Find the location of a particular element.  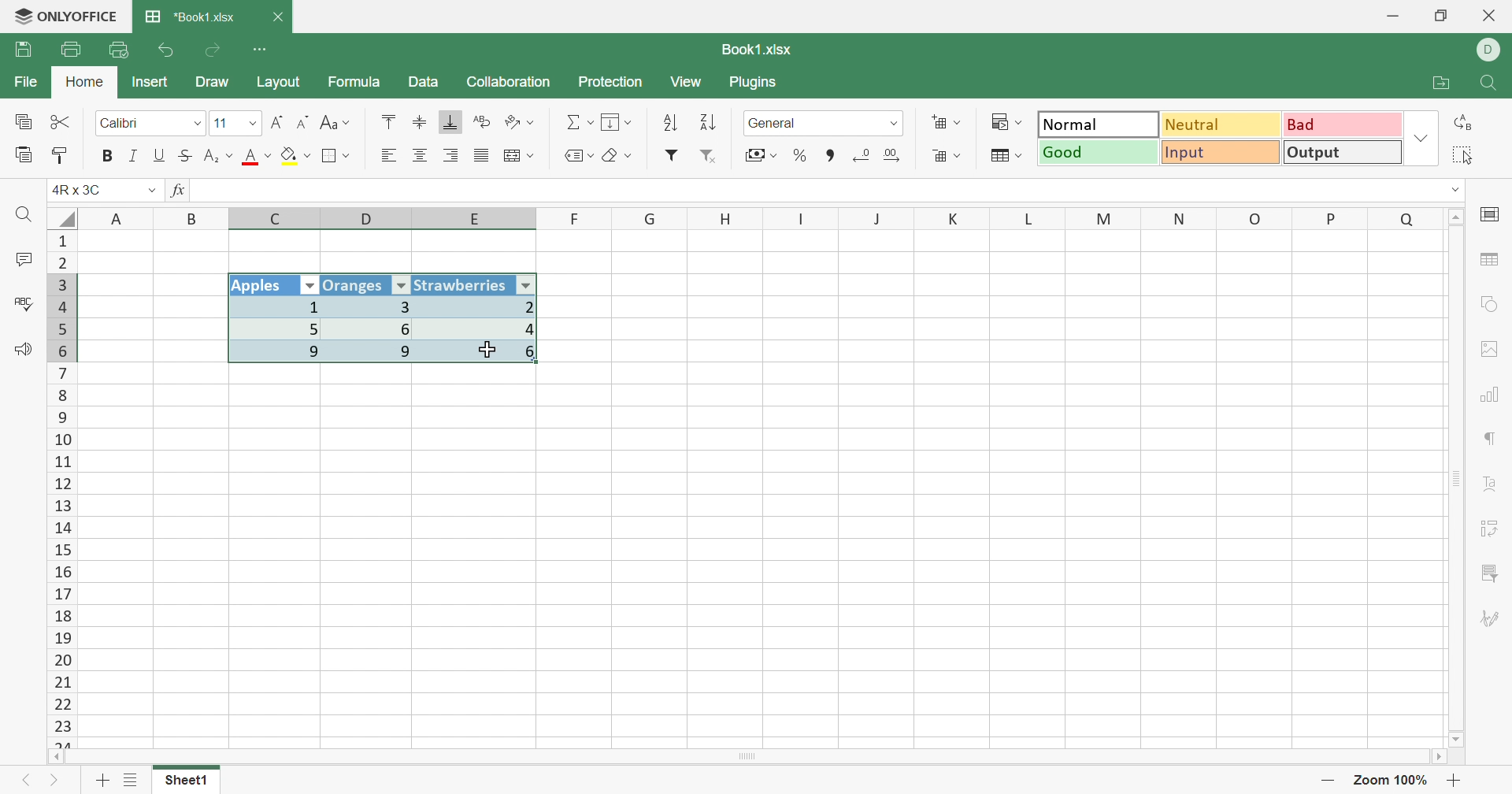

Filter is located at coordinates (672, 155).